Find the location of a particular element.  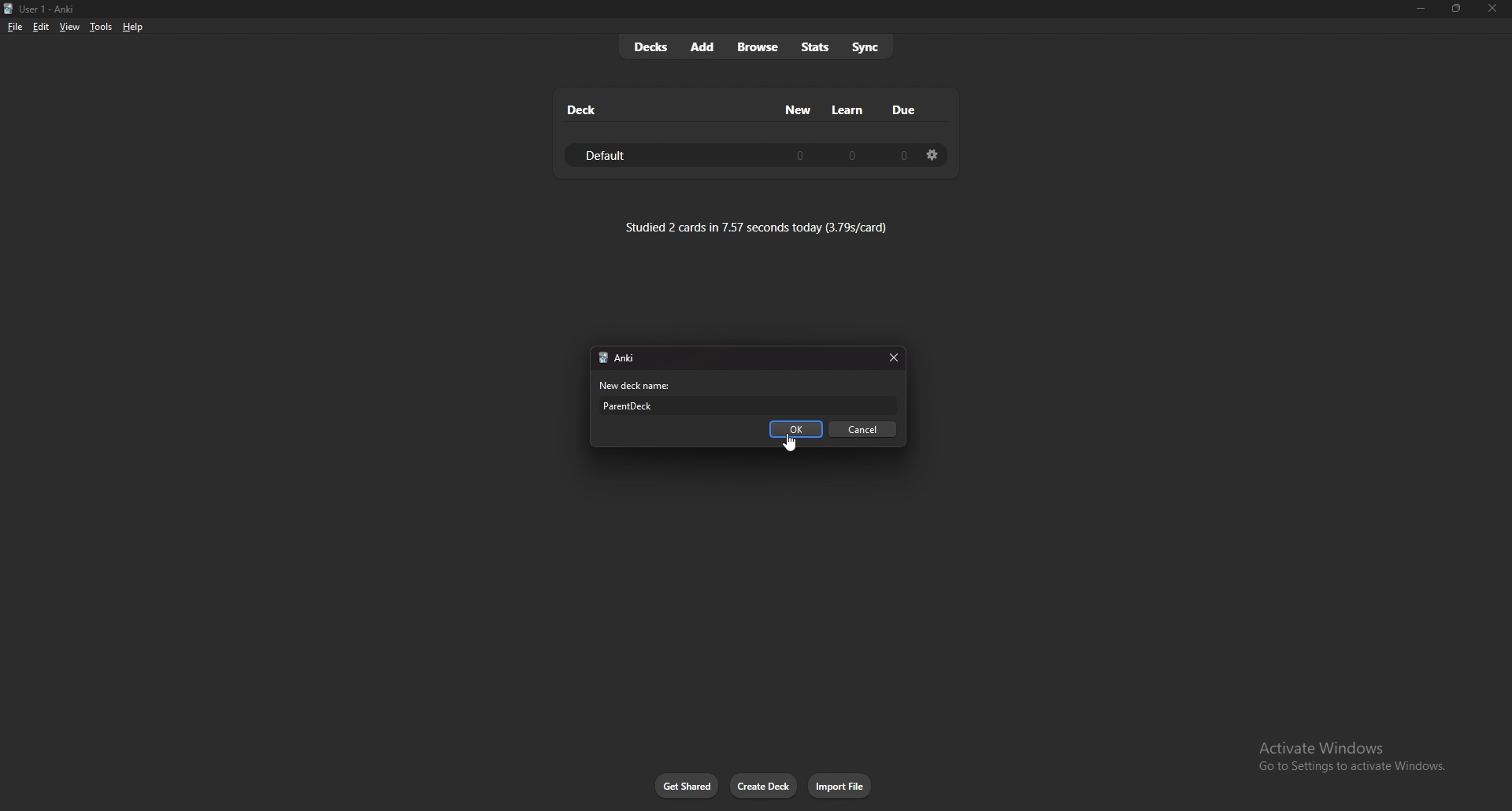

studied 2 cards in 7.57 seconds today (3.79s/card) is located at coordinates (757, 227).